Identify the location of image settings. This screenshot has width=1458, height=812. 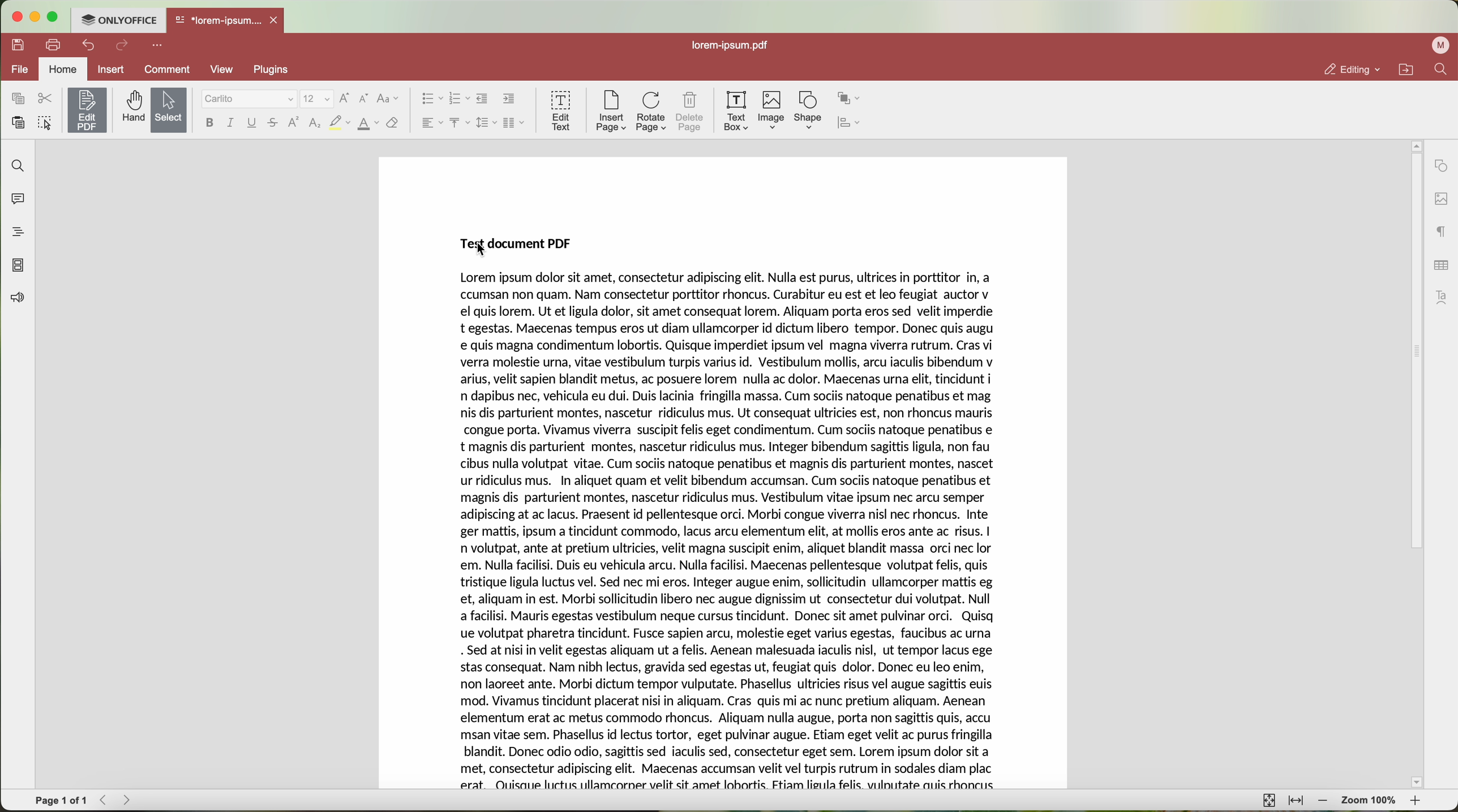
(1440, 198).